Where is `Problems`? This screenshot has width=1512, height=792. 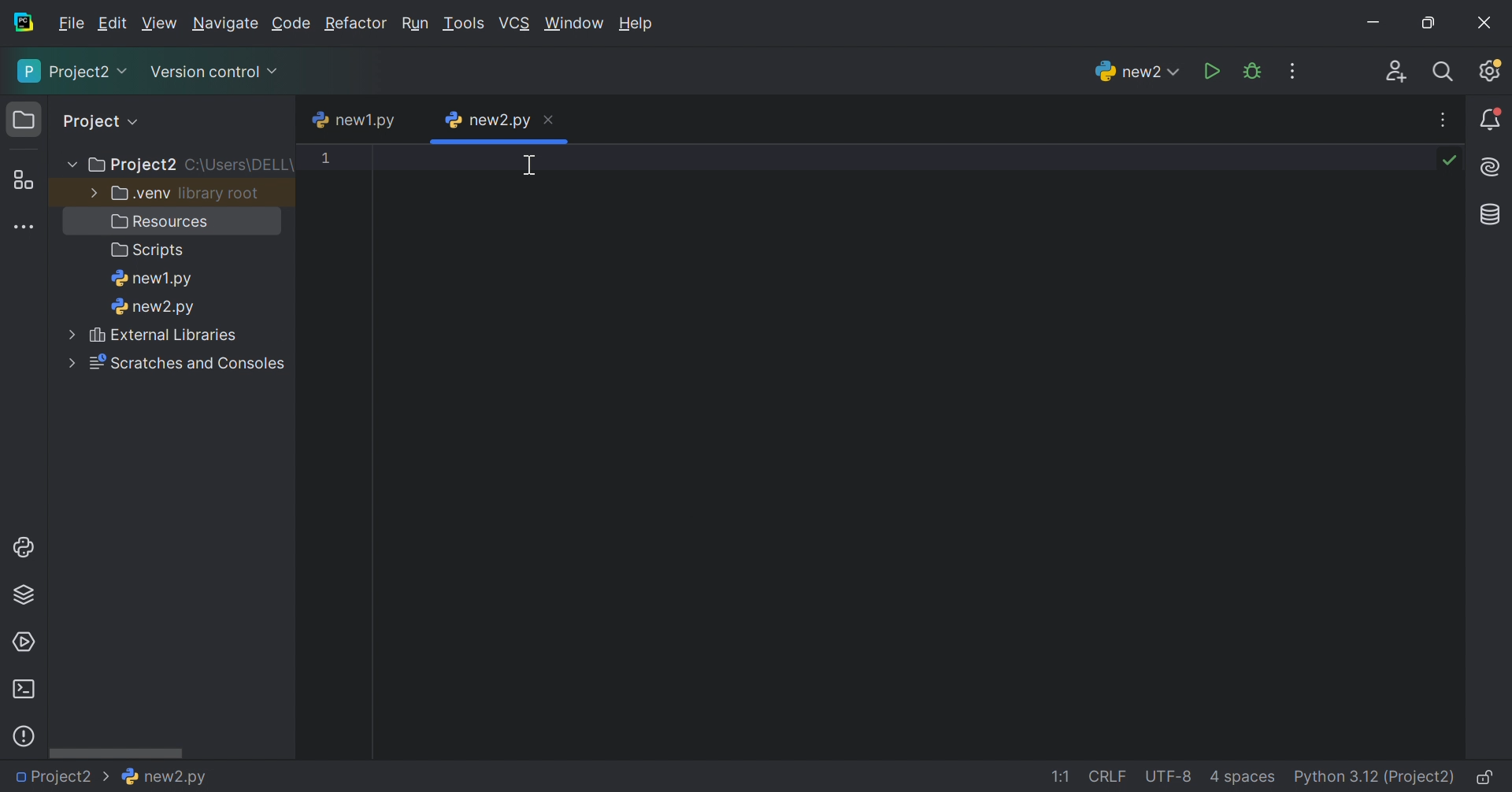
Problems is located at coordinates (26, 737).